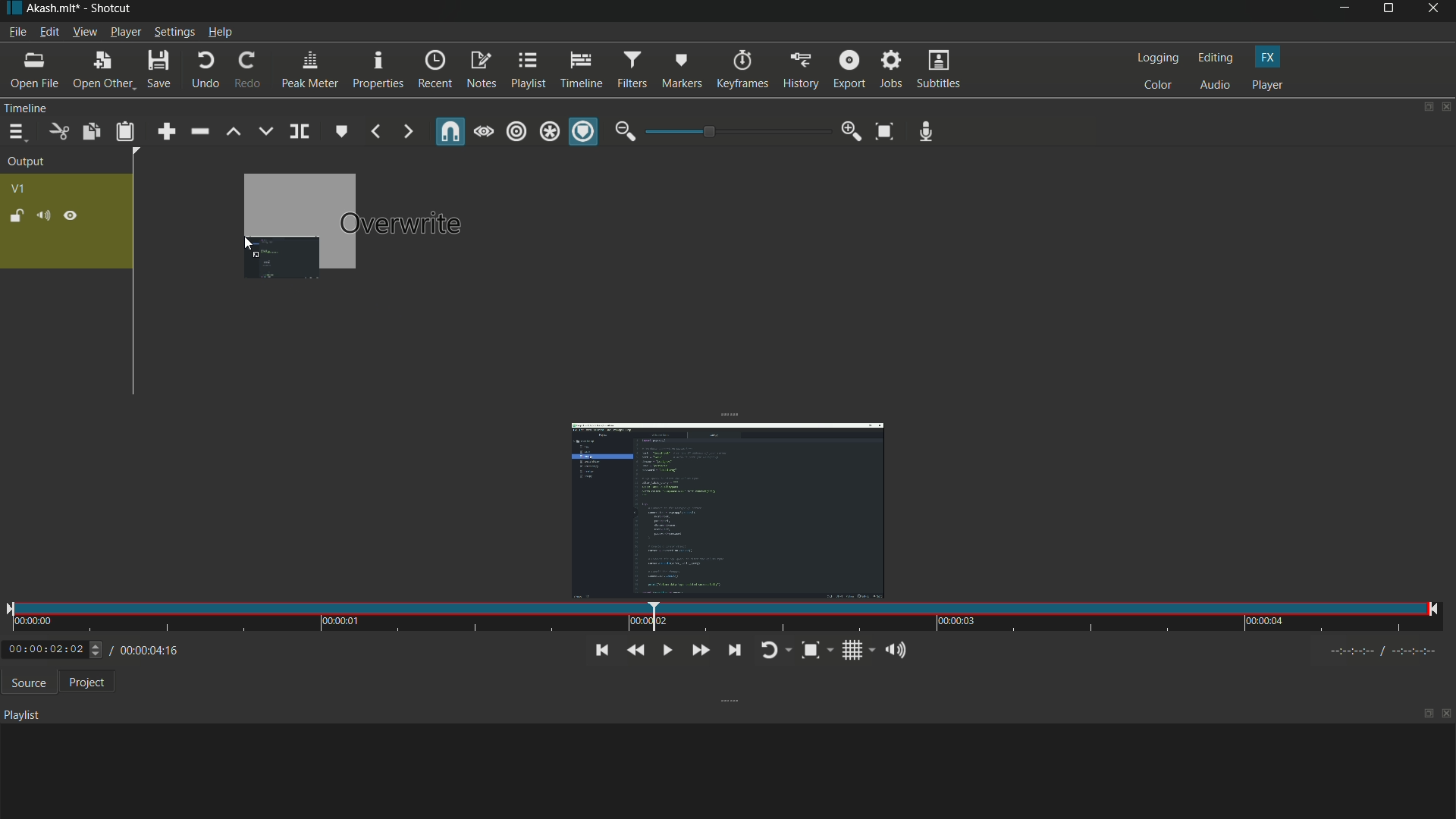 This screenshot has height=819, width=1456. Describe the element at coordinates (927, 132) in the screenshot. I see `record audio` at that location.